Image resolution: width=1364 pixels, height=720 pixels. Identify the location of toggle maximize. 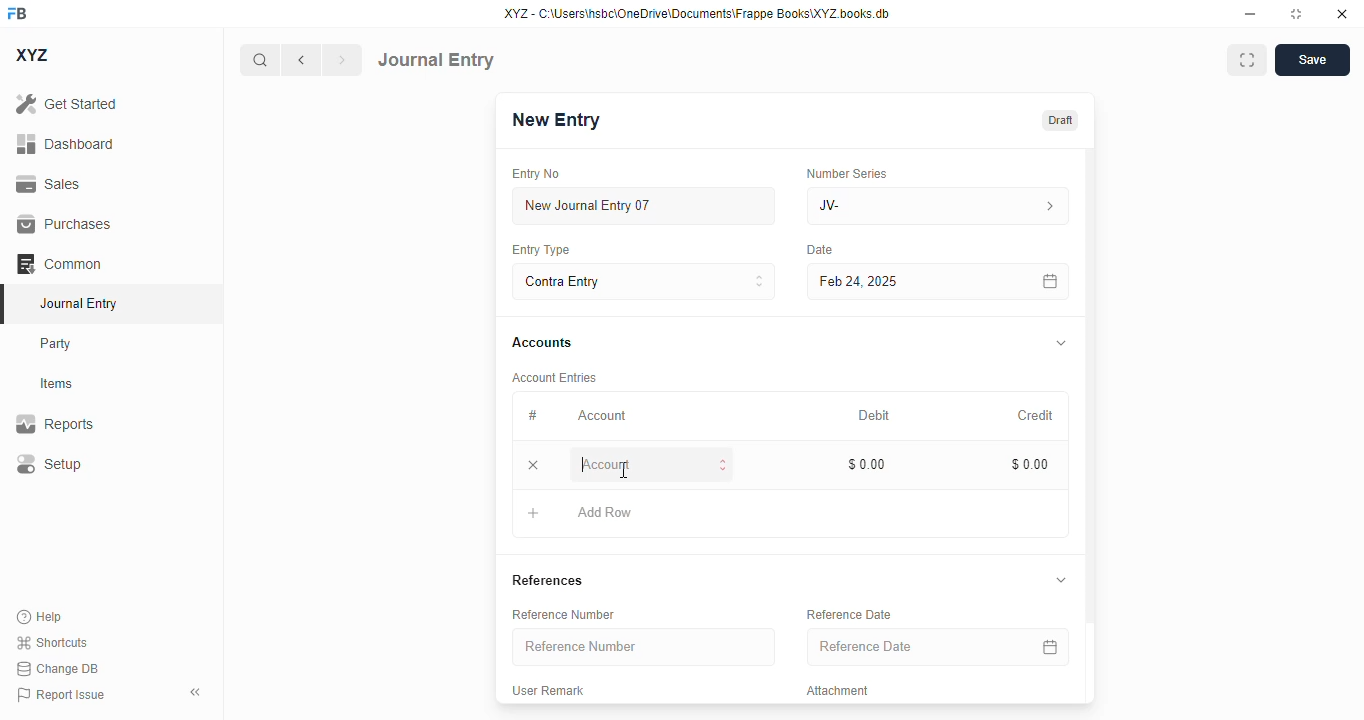
(1296, 14).